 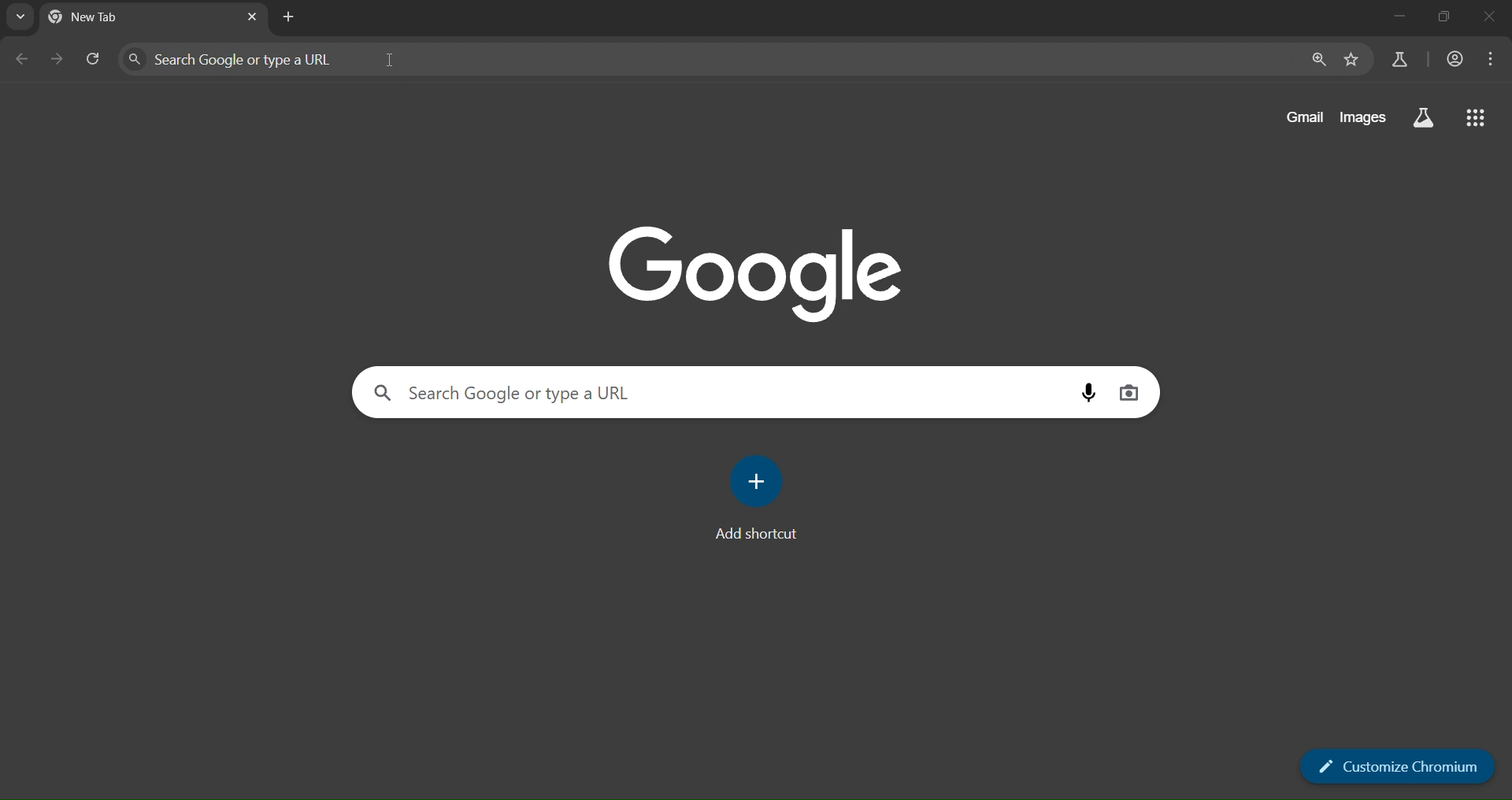 I want to click on cursor, so click(x=391, y=59).